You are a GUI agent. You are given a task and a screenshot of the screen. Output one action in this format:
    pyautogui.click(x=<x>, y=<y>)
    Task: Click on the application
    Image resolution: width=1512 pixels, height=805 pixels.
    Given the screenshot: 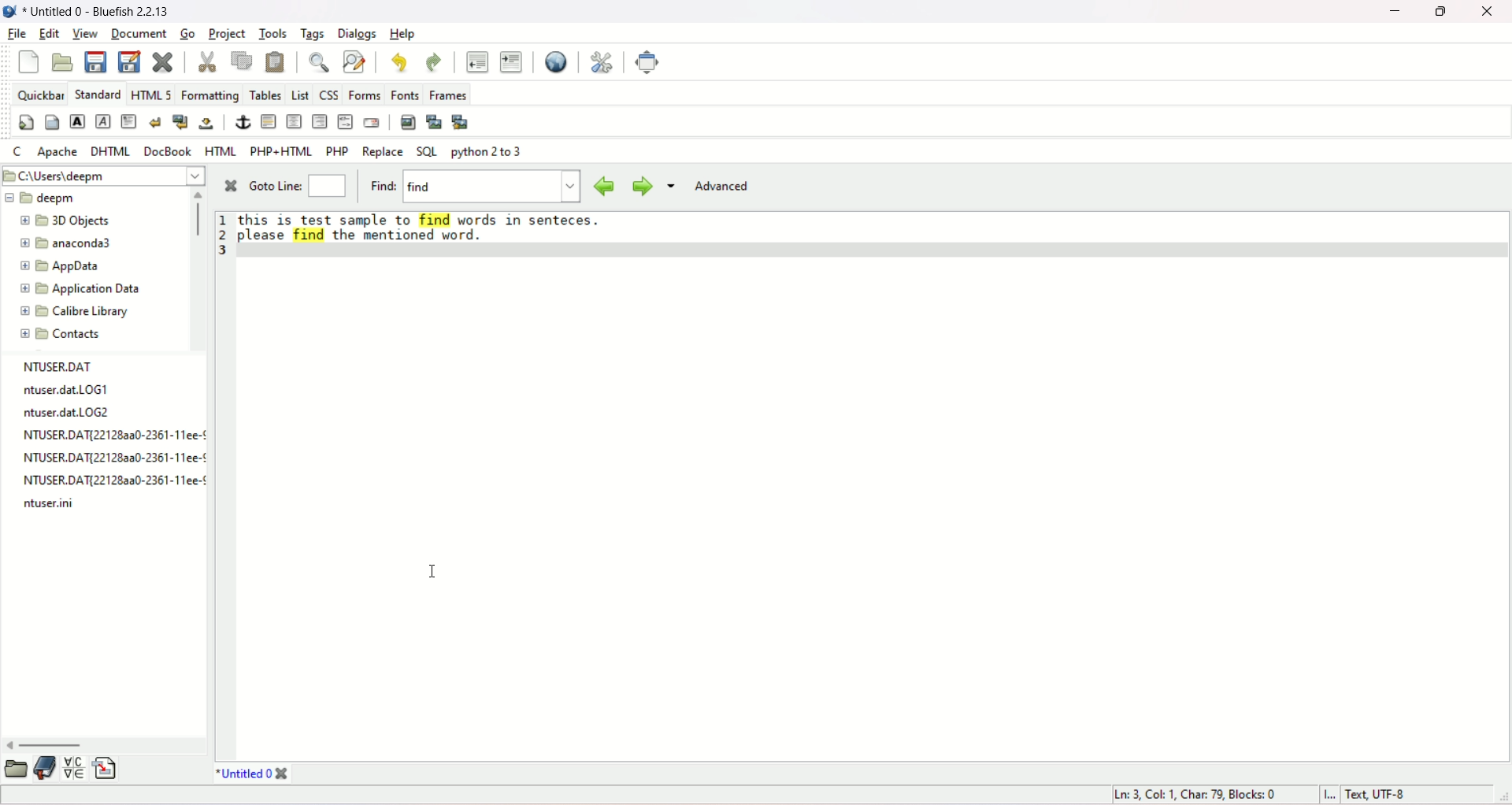 What is the action you would take?
    pyautogui.click(x=84, y=289)
    